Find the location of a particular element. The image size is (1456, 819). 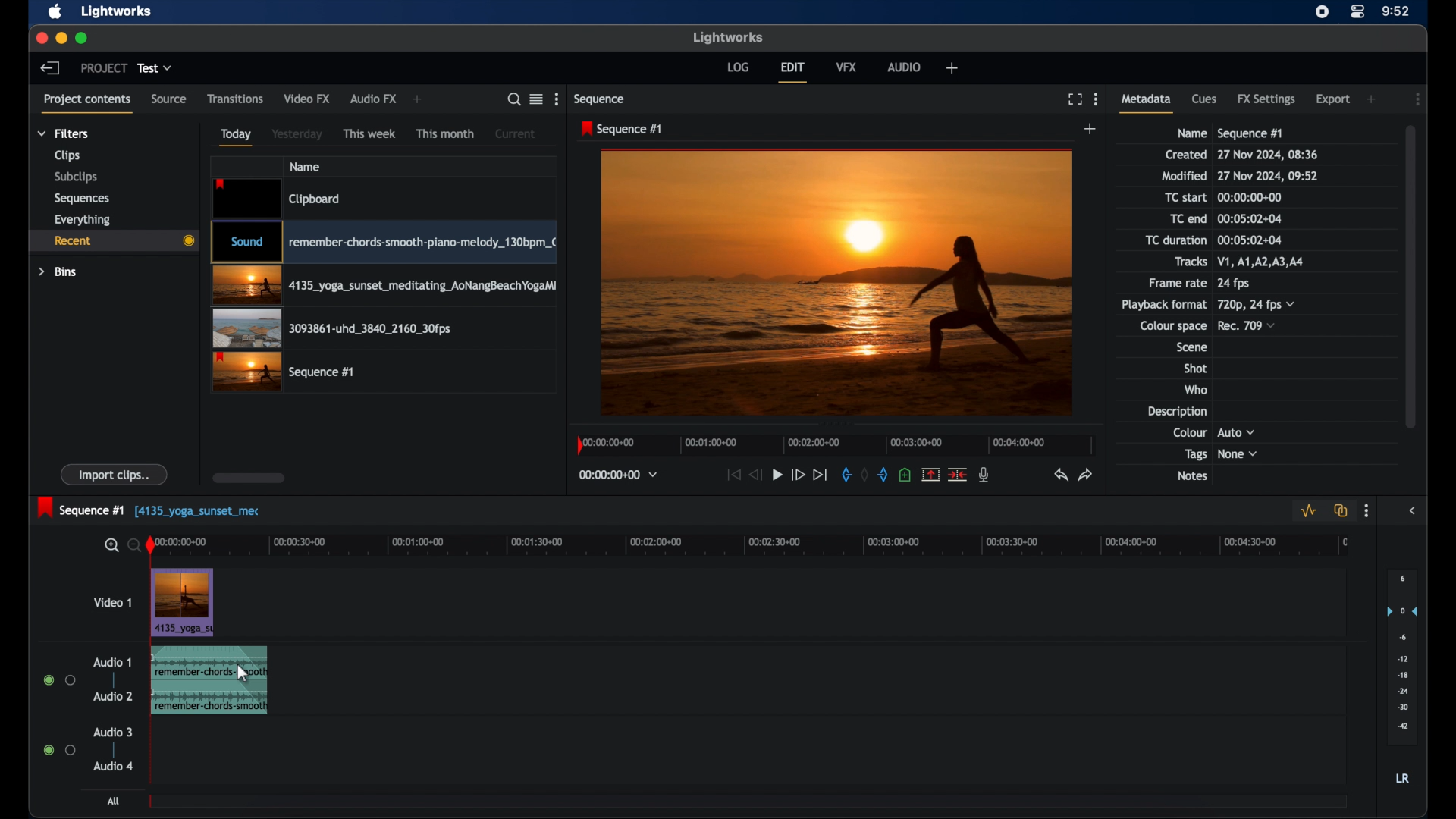

remove the marked section is located at coordinates (931, 473).